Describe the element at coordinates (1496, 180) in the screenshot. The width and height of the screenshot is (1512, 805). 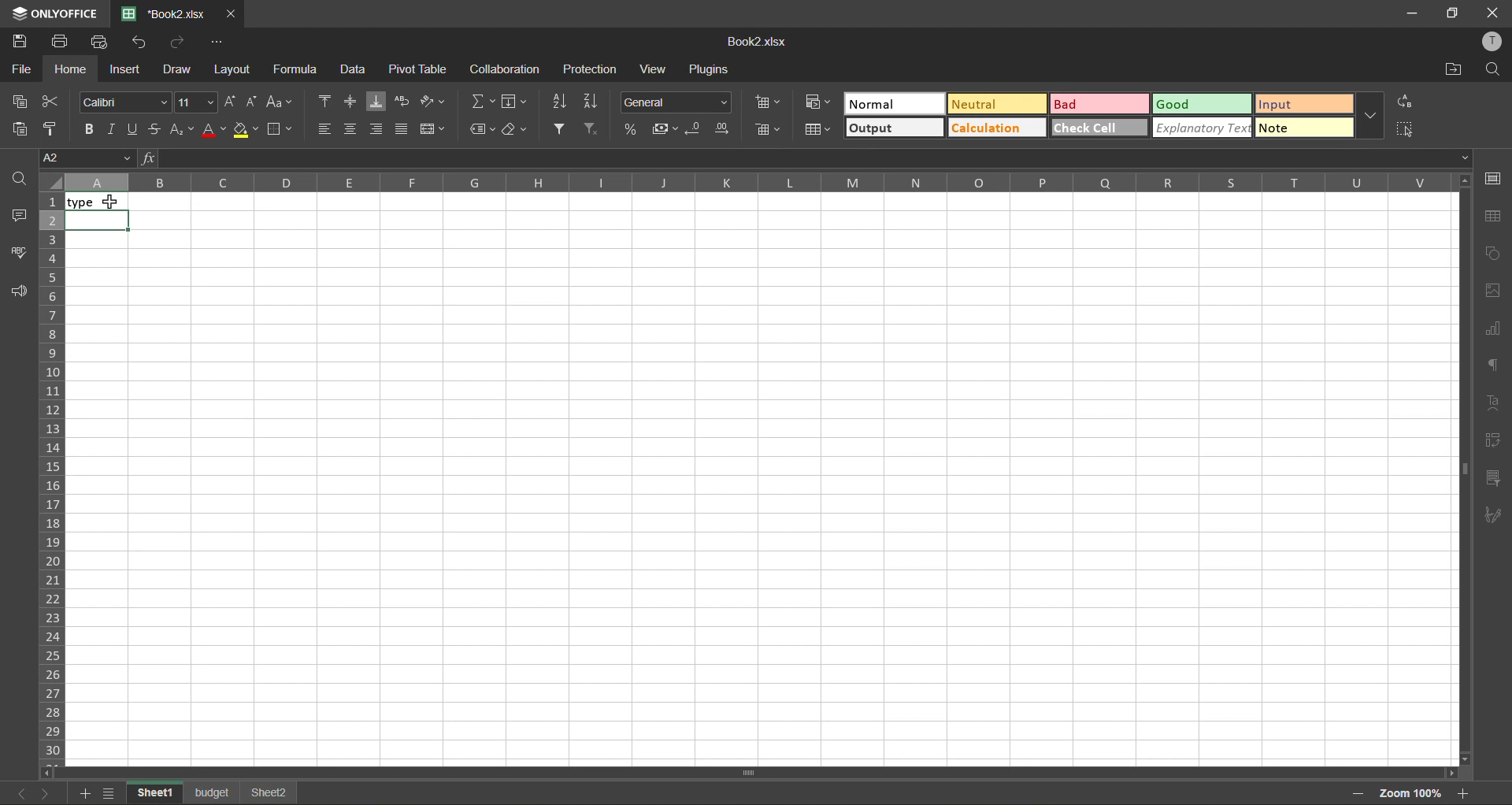
I see `cell settings` at that location.